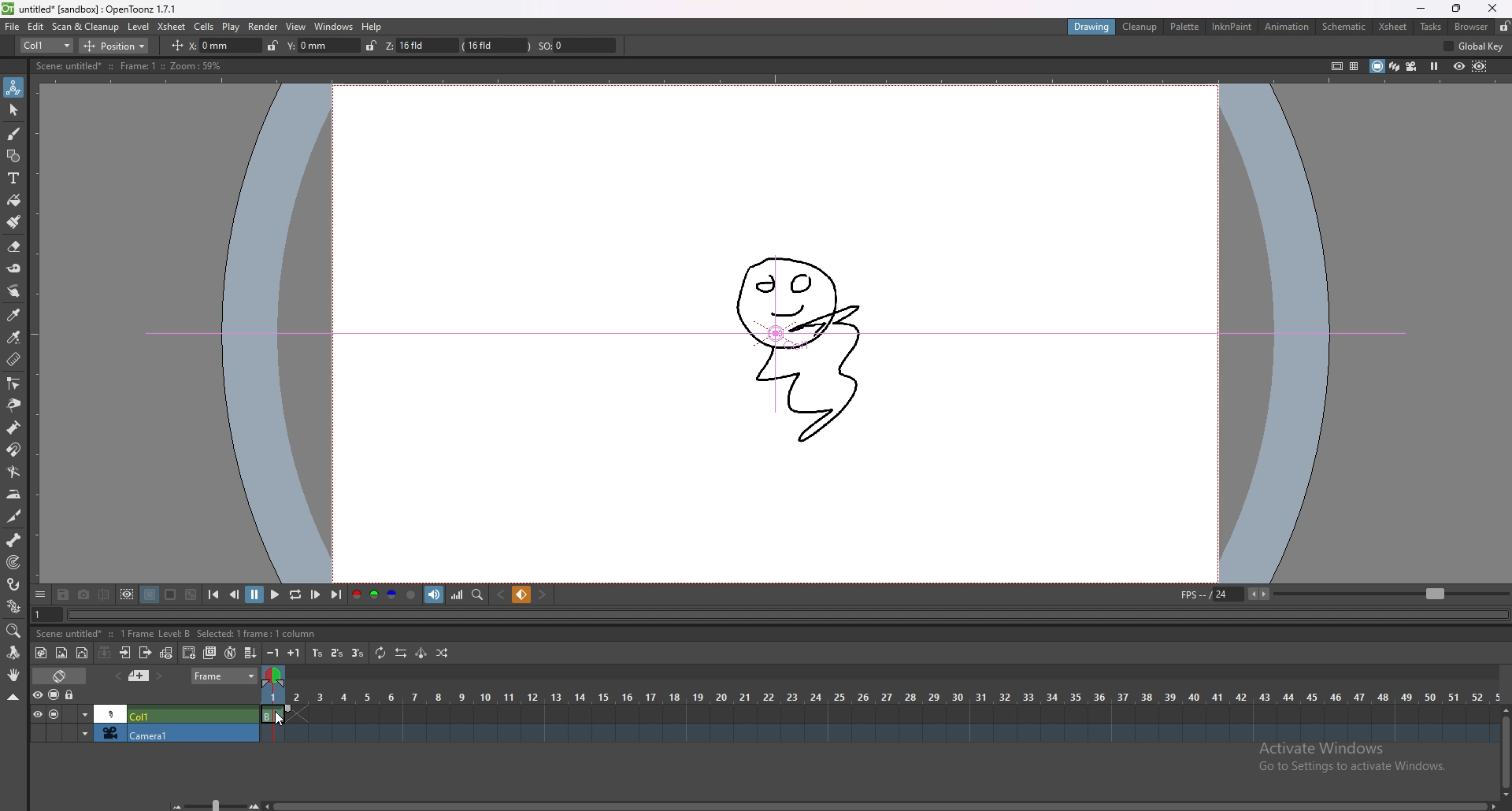  Describe the element at coordinates (125, 653) in the screenshot. I see `open sub xsheet` at that location.